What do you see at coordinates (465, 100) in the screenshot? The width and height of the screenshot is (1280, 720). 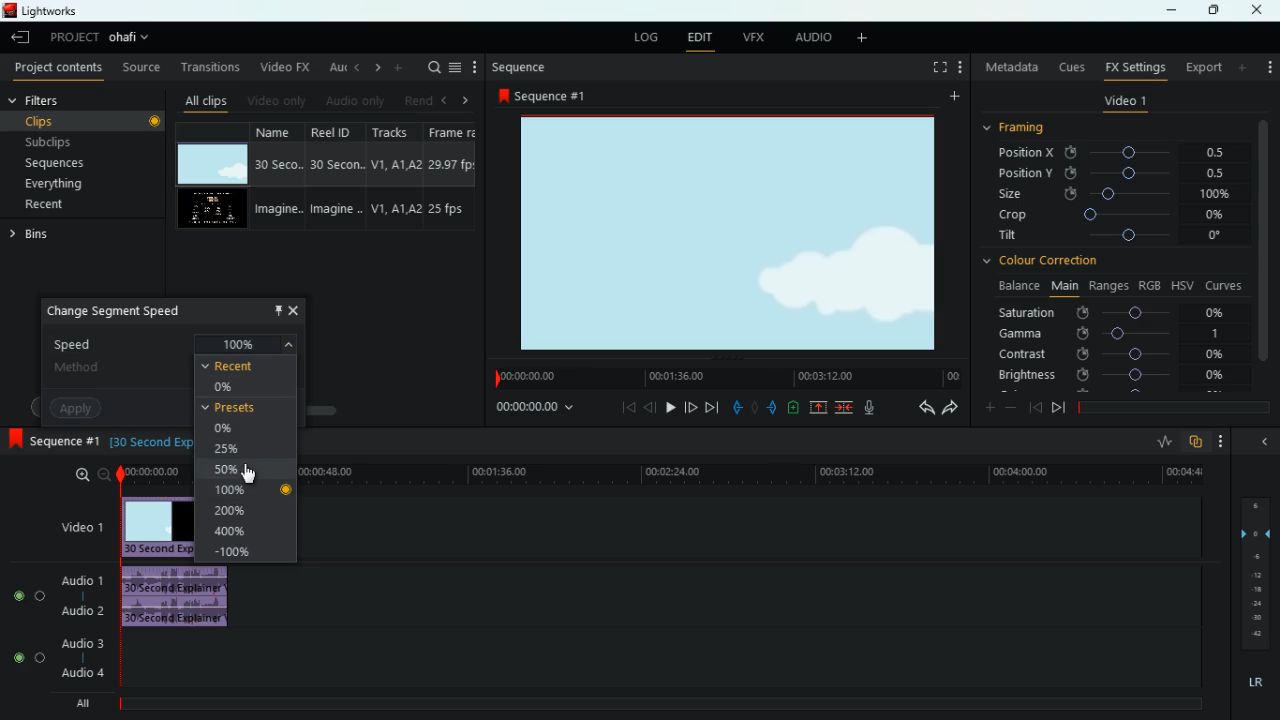 I see `right` at bounding box center [465, 100].